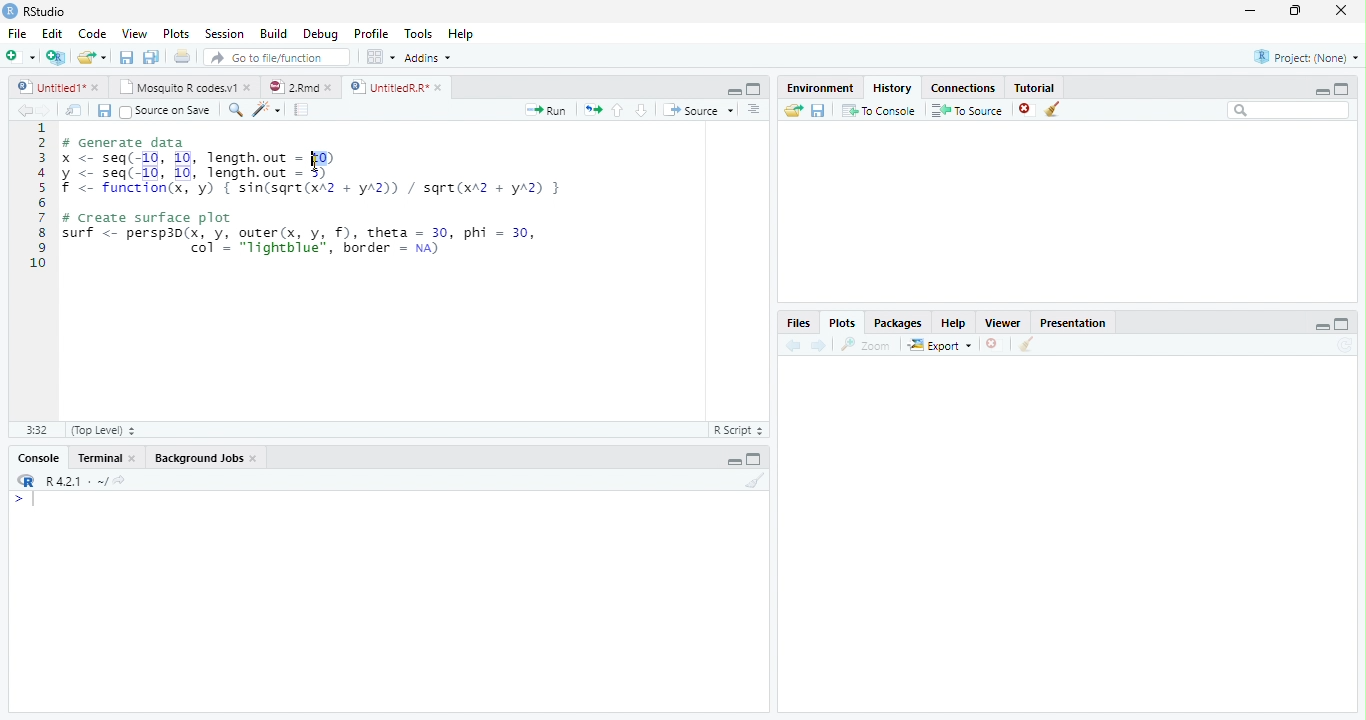 This screenshot has height=720, width=1366. I want to click on Plots, so click(843, 322).